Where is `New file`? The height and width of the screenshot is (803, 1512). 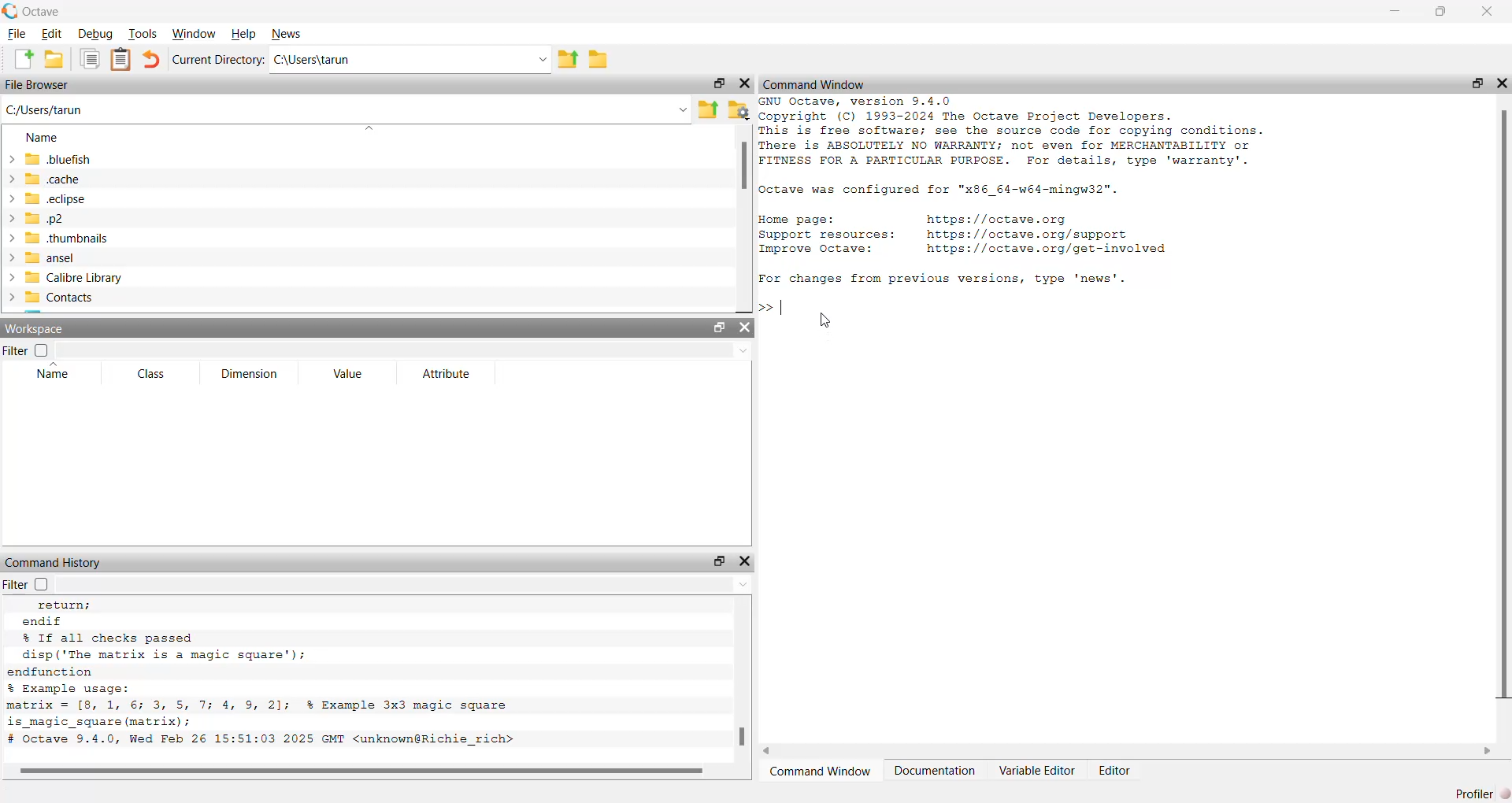 New file is located at coordinates (24, 59).